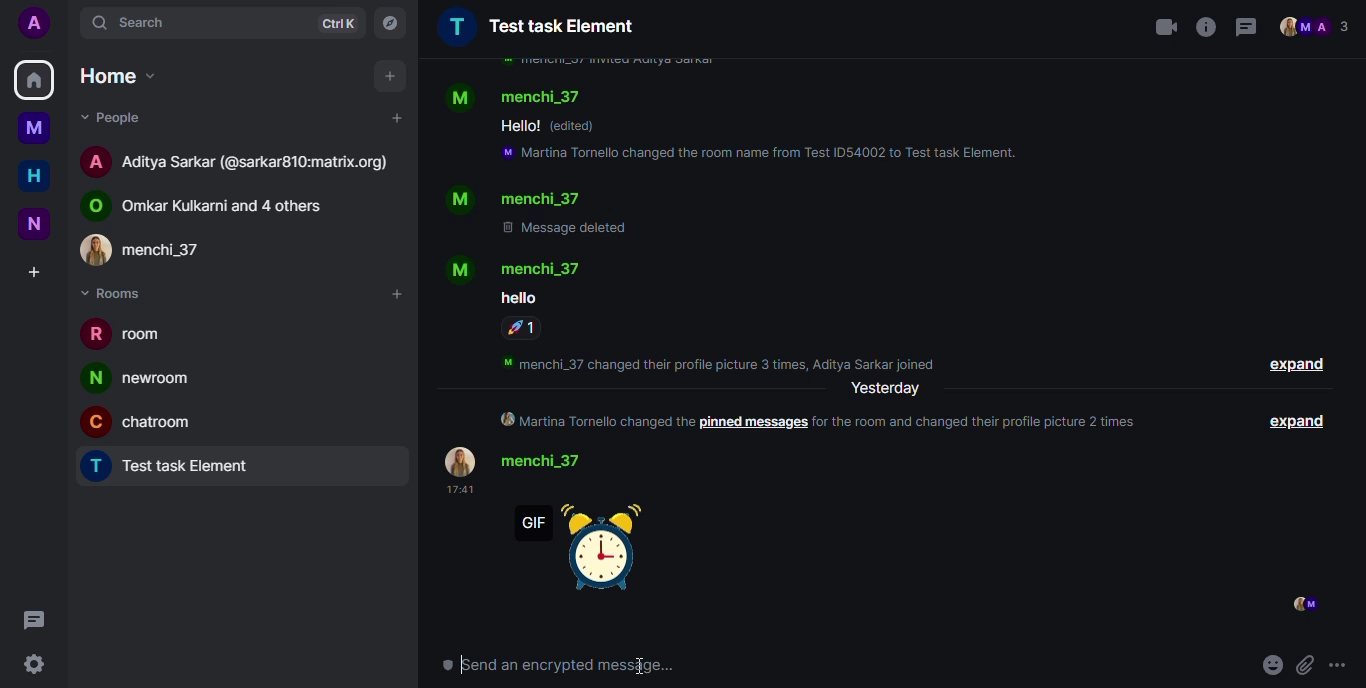 The width and height of the screenshot is (1366, 688). I want to click on ctrlK, so click(333, 22).